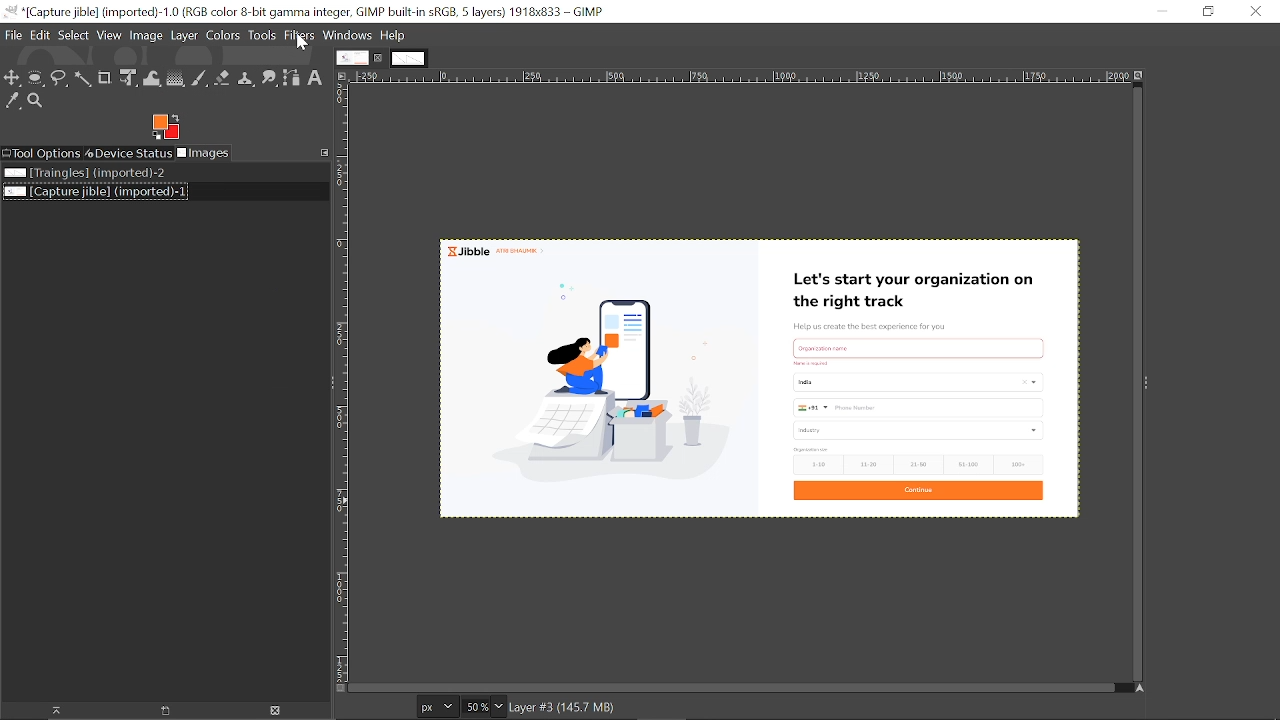 The width and height of the screenshot is (1280, 720). Describe the element at coordinates (41, 37) in the screenshot. I see `Edit` at that location.